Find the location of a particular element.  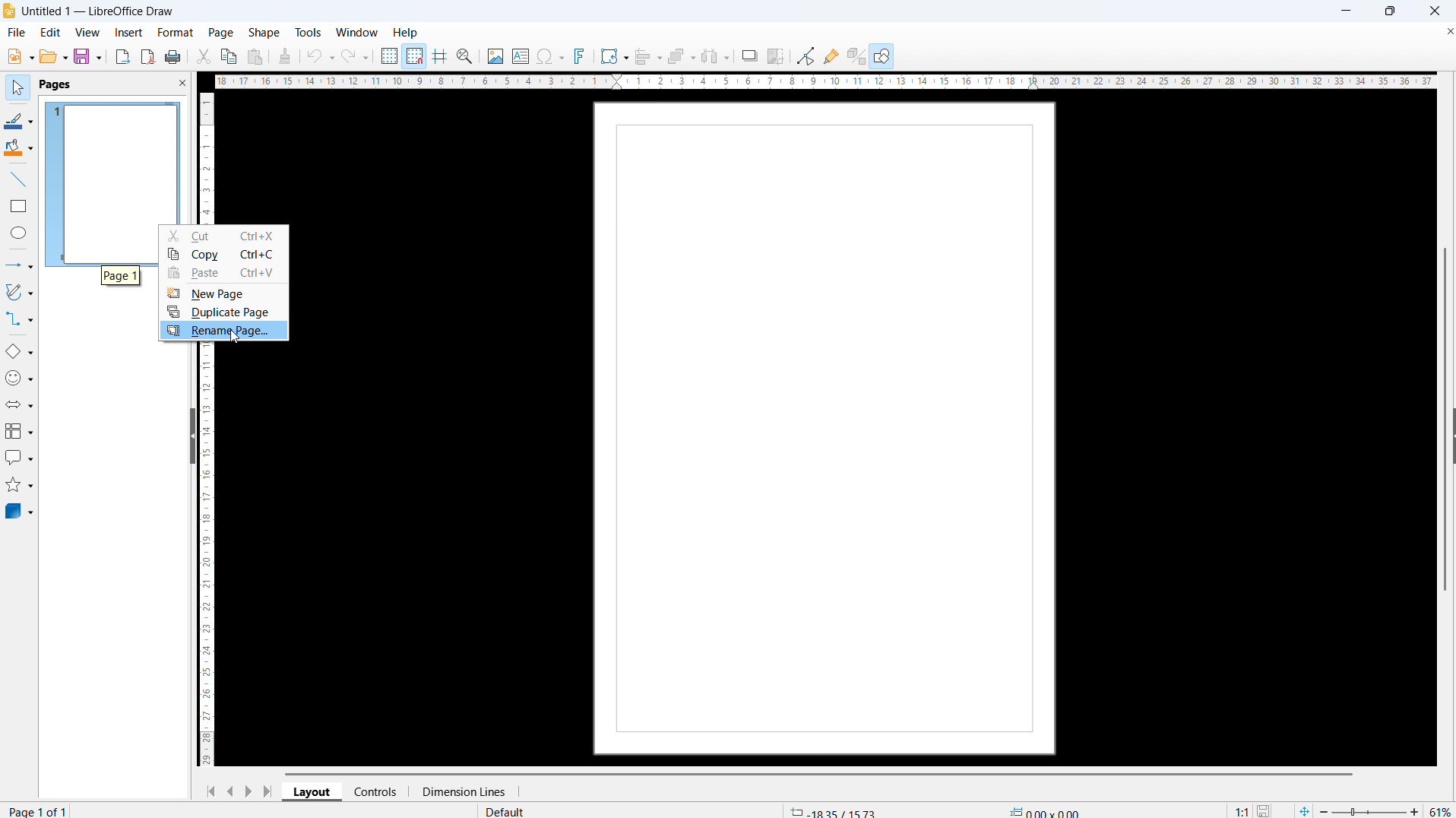

page number is located at coordinates (41, 810).